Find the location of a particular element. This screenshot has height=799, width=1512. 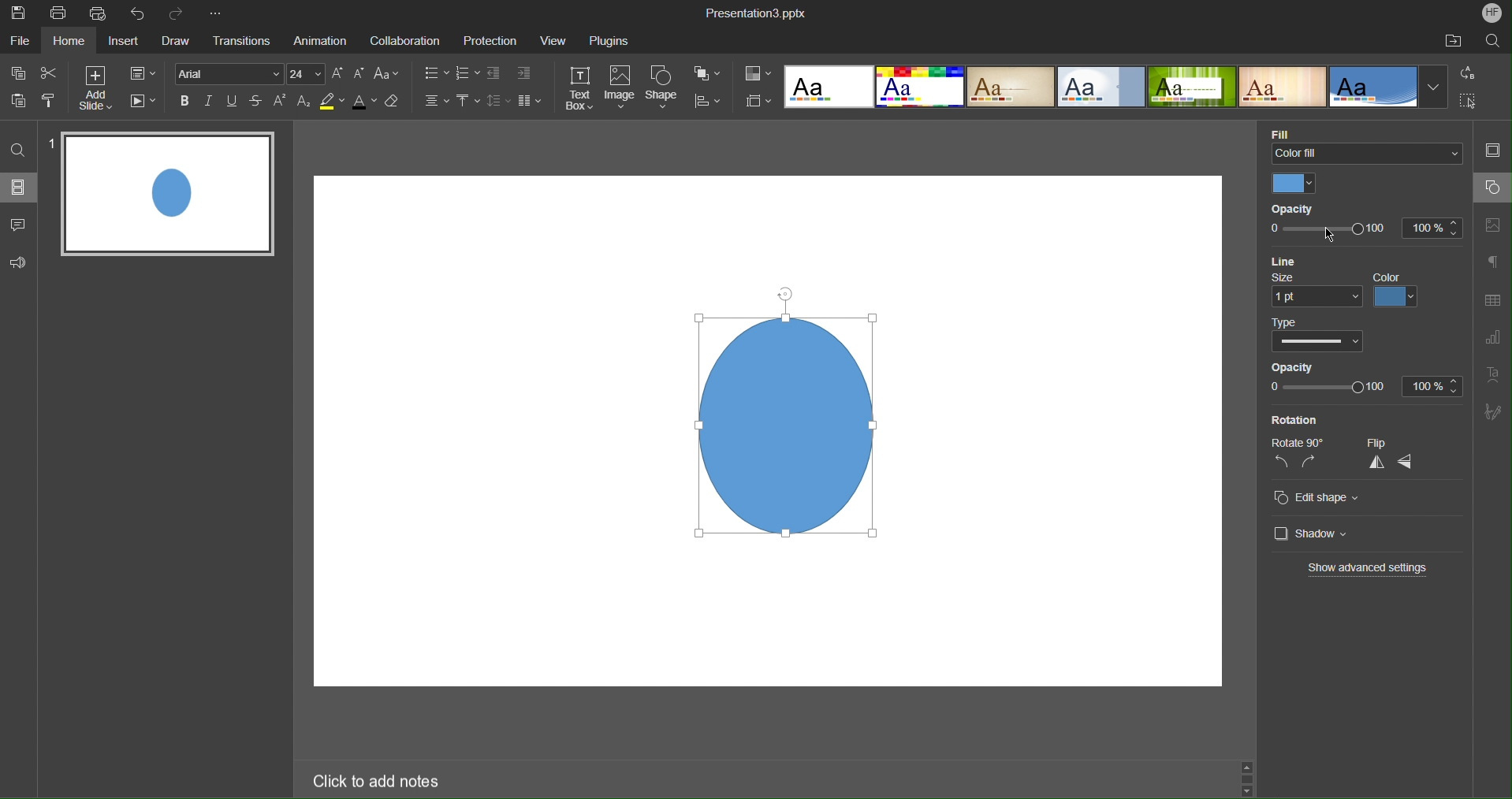

Protection is located at coordinates (492, 40).